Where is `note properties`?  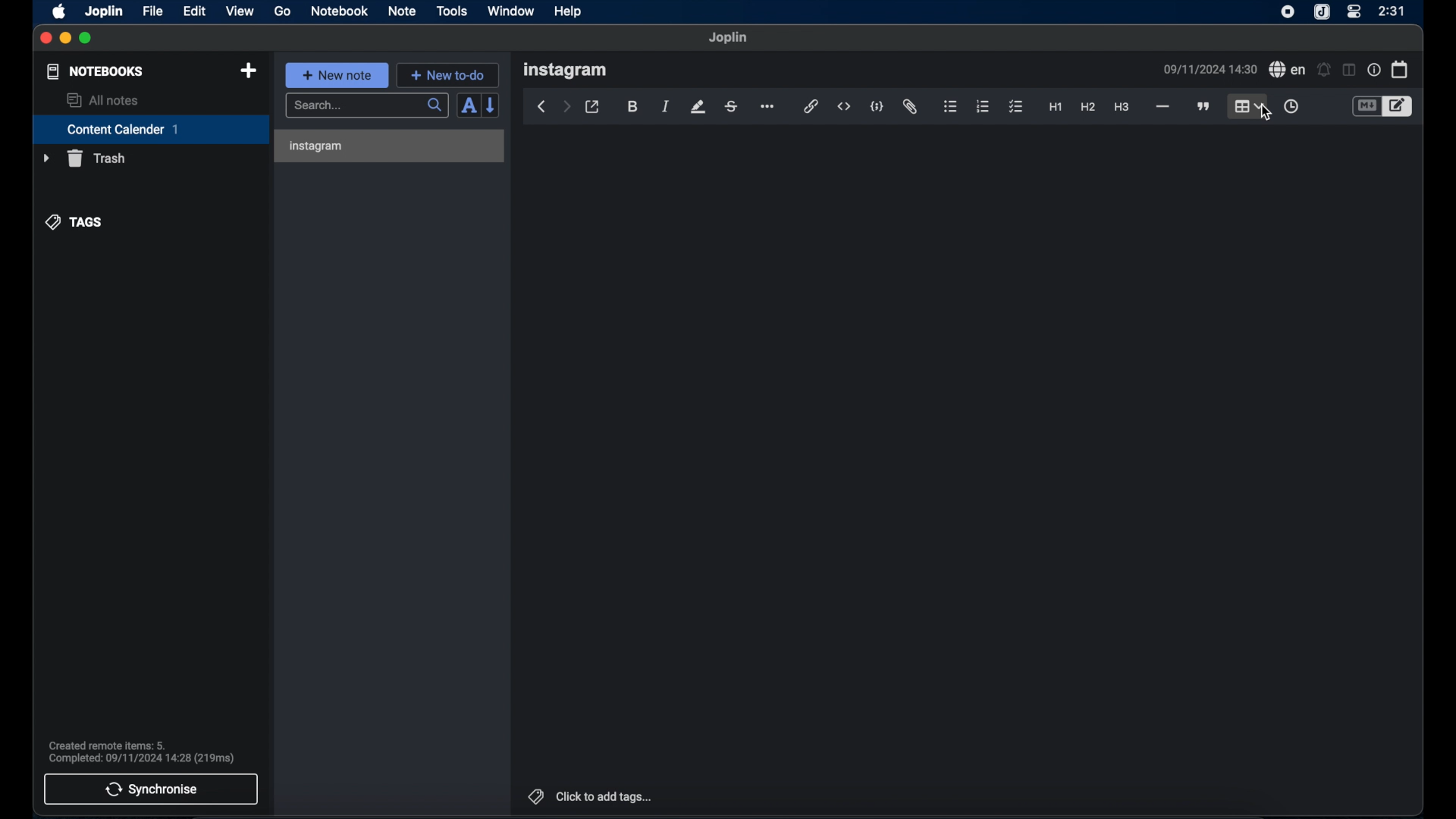 note properties is located at coordinates (1374, 69).